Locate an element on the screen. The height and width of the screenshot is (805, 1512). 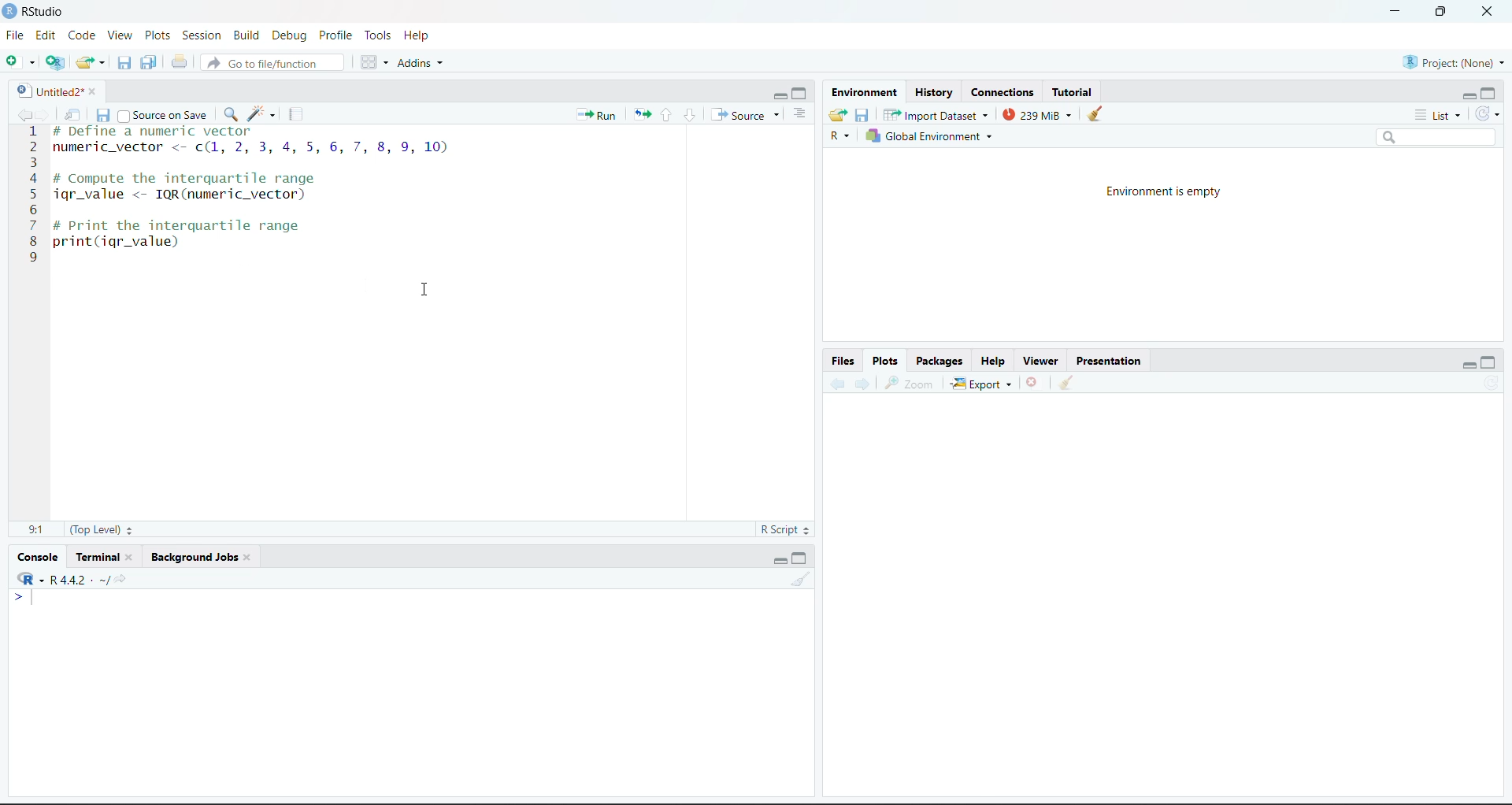
Close is located at coordinates (1484, 13).